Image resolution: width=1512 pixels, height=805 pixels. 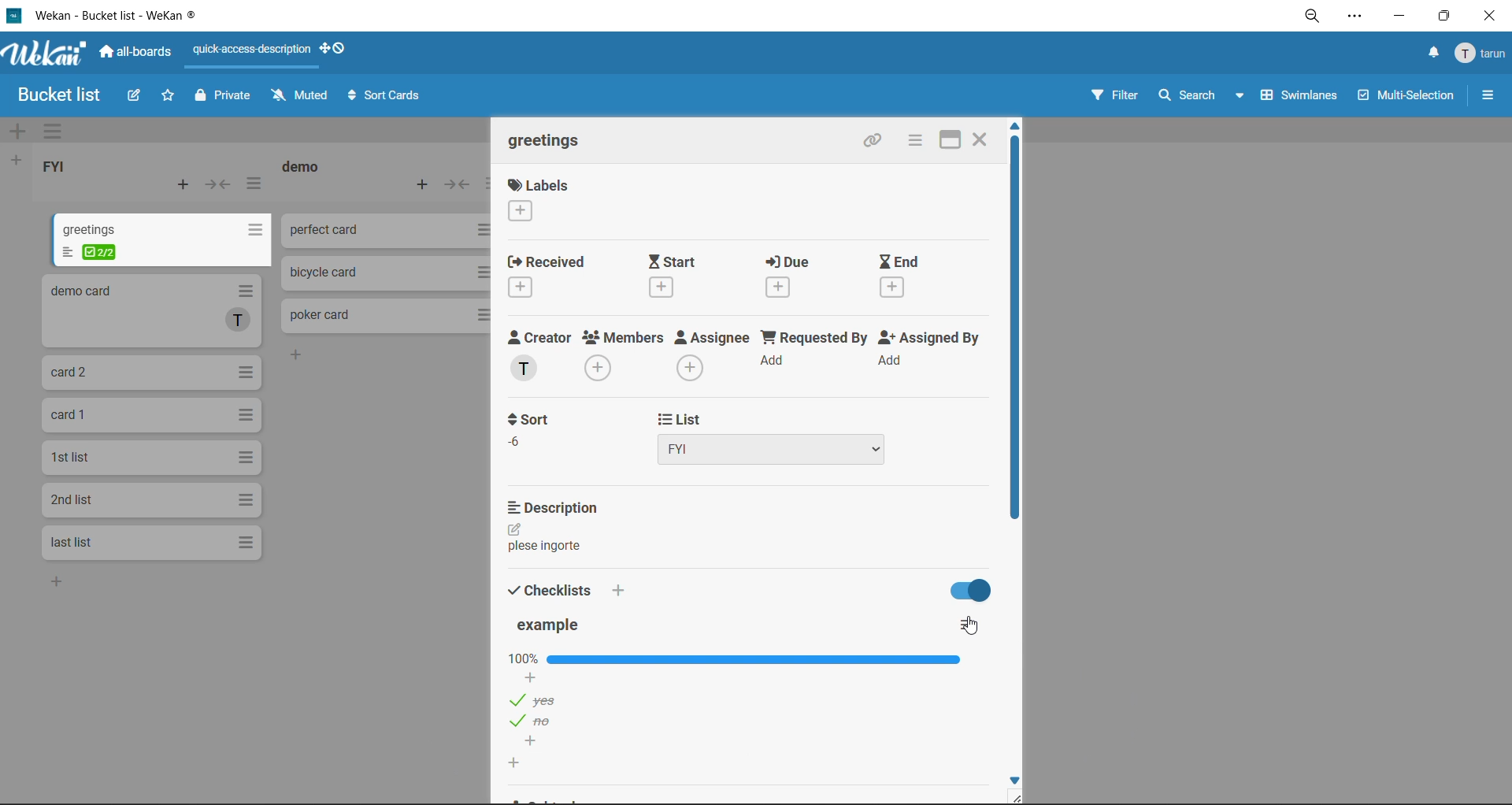 What do you see at coordinates (538, 723) in the screenshot?
I see `checklist options` at bounding box center [538, 723].